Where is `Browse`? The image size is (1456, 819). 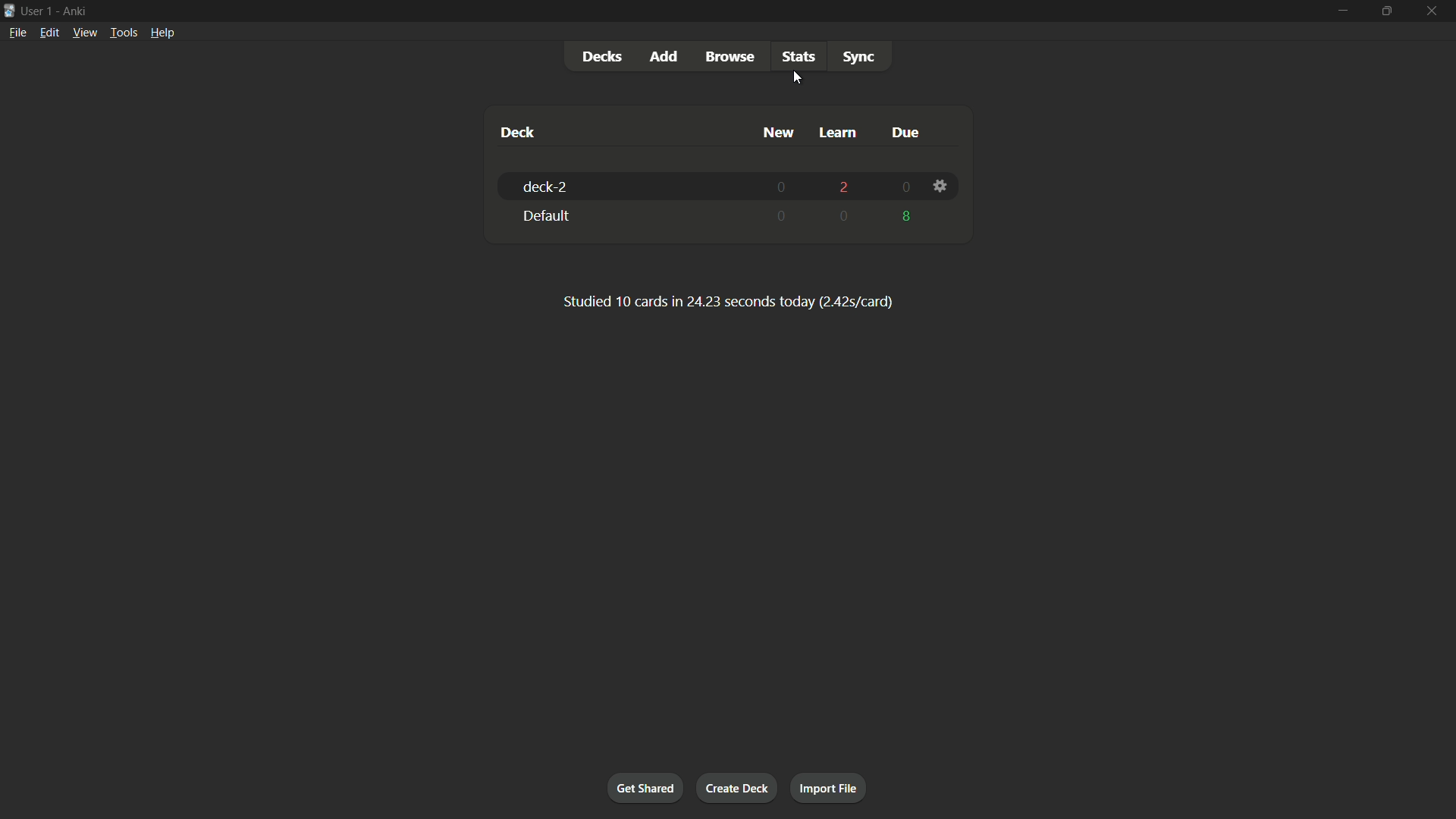
Browse is located at coordinates (730, 58).